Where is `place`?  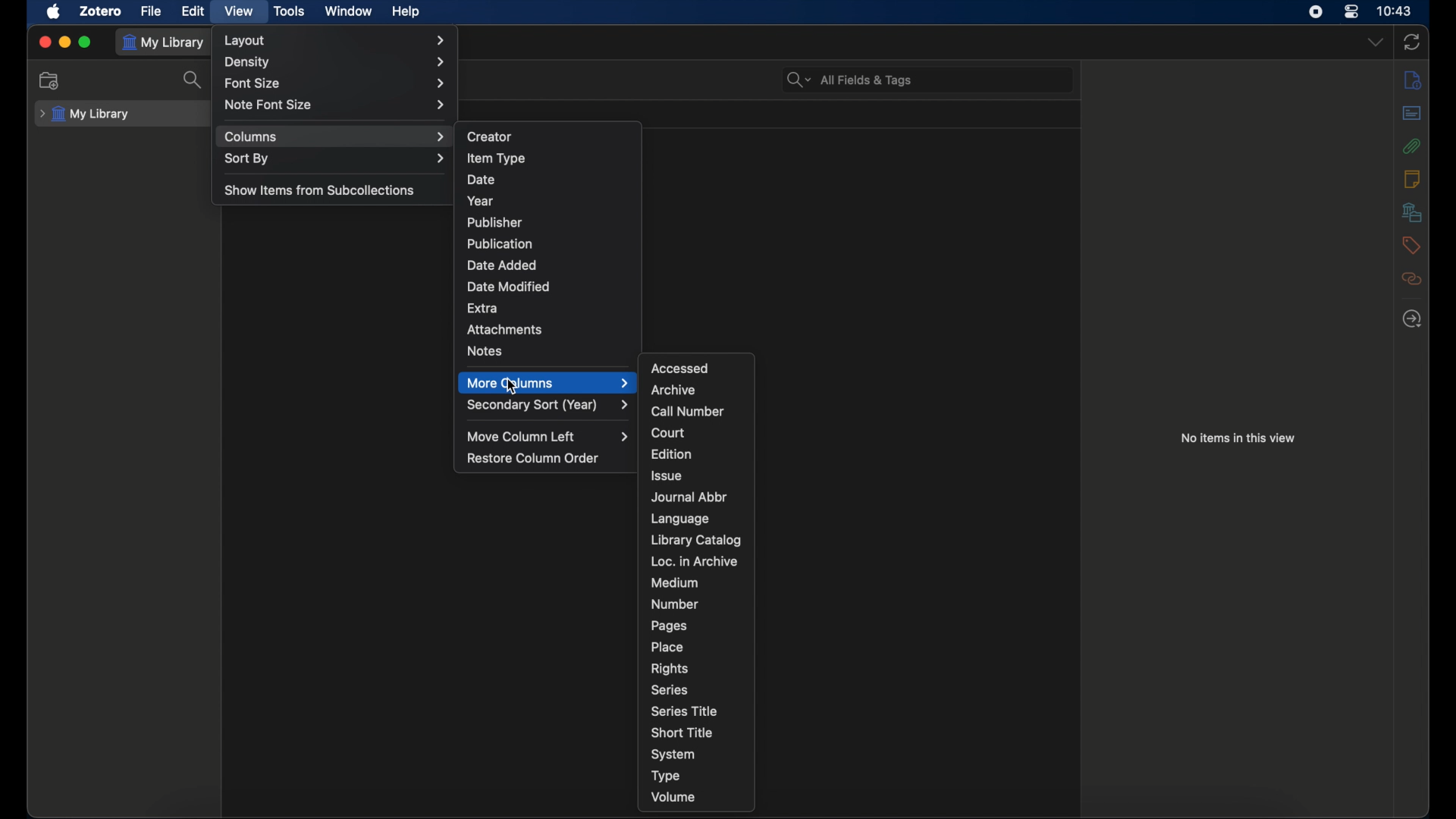 place is located at coordinates (668, 647).